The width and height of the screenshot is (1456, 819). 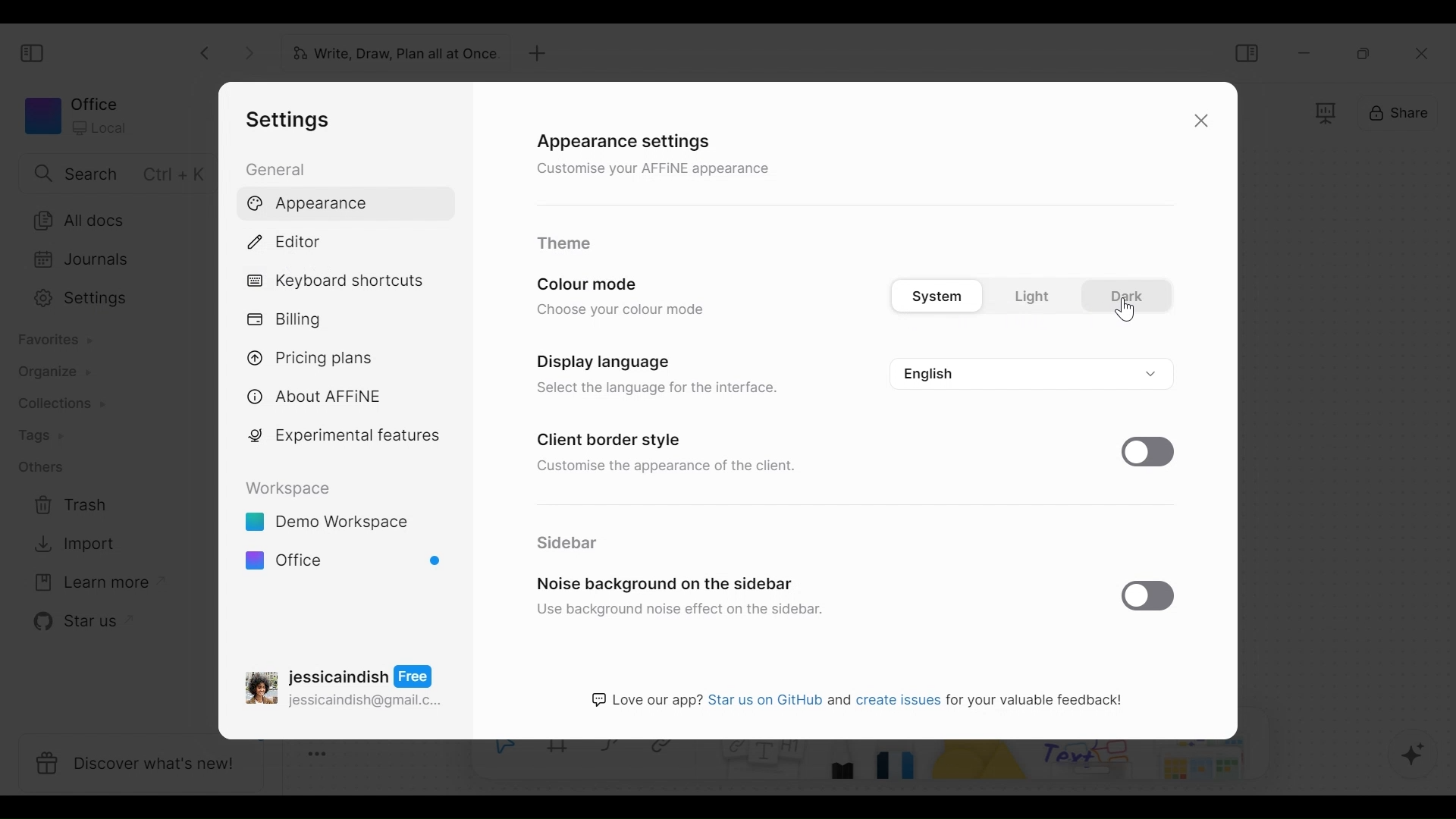 I want to click on Pricing plans, so click(x=312, y=362).